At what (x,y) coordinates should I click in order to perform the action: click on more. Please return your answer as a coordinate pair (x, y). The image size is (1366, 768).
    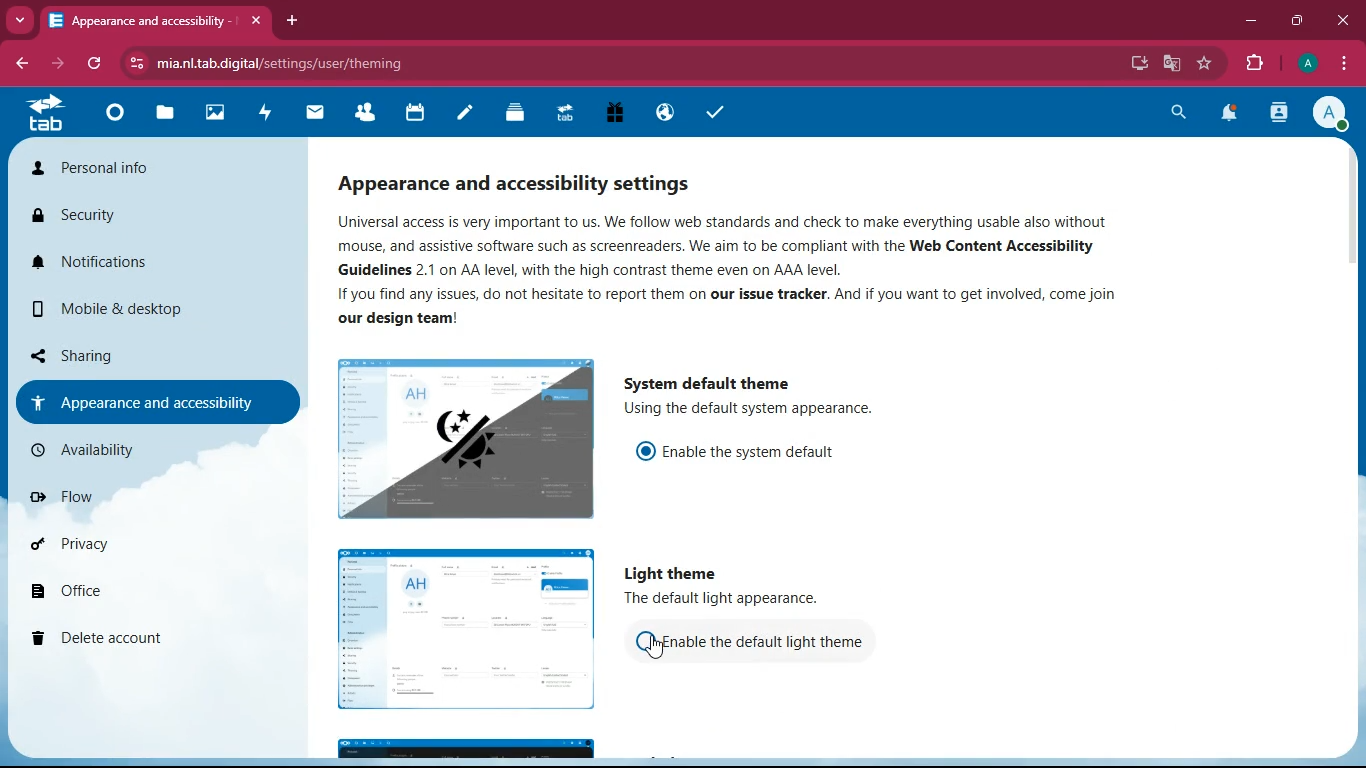
    Looking at the image, I should click on (21, 20).